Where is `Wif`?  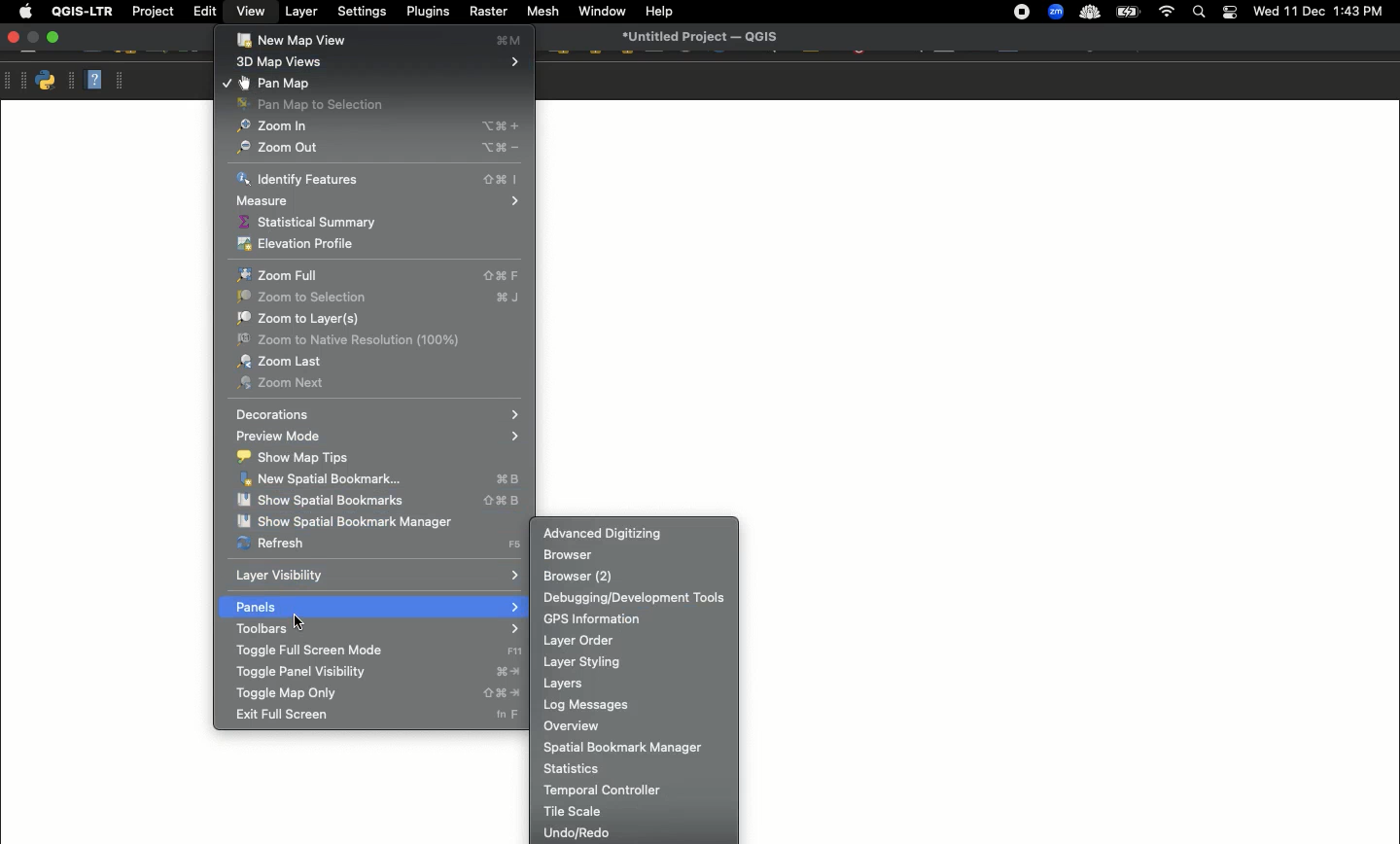 Wif is located at coordinates (1167, 13).